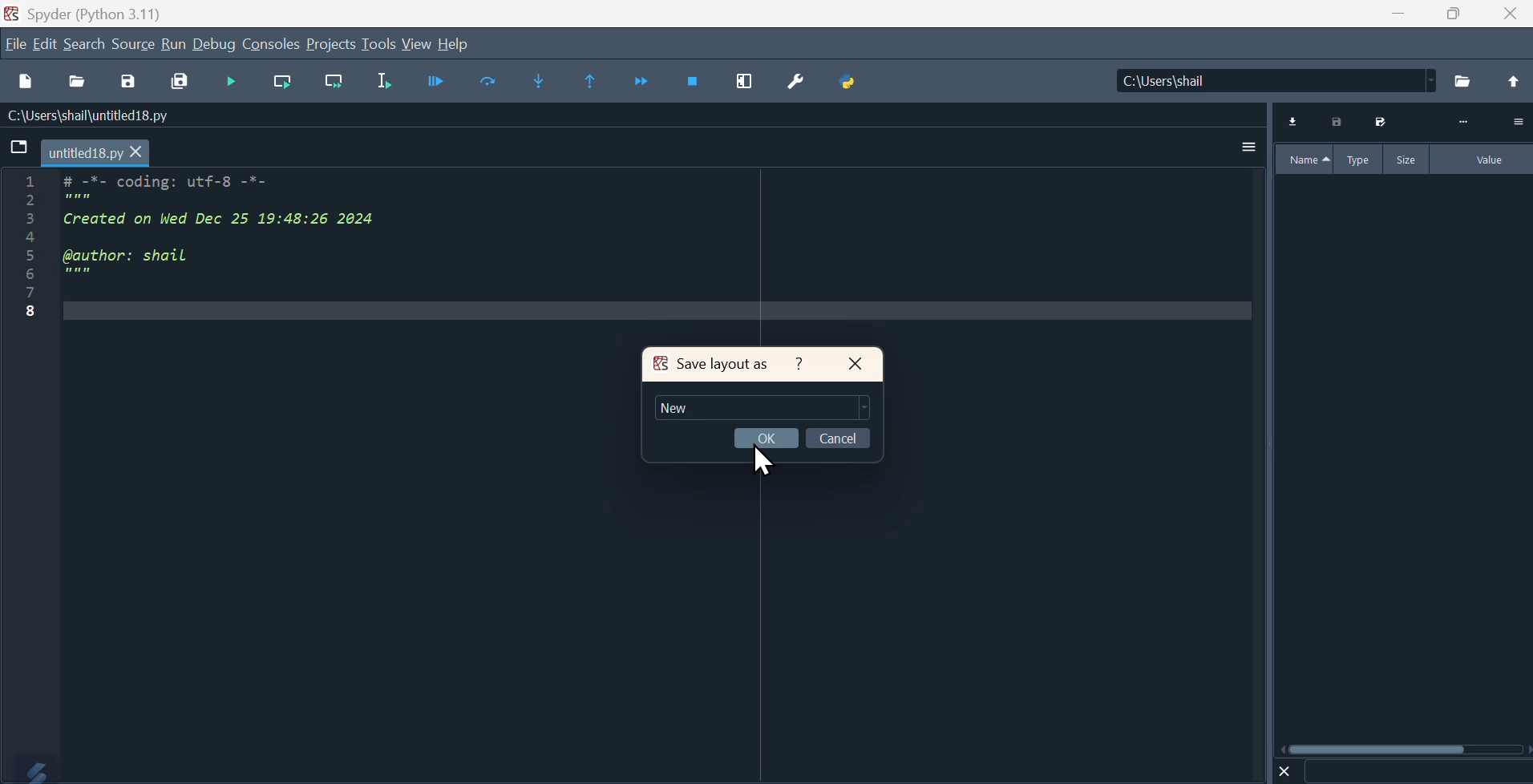 This screenshot has width=1533, height=784. I want to click on Edit, so click(47, 43).